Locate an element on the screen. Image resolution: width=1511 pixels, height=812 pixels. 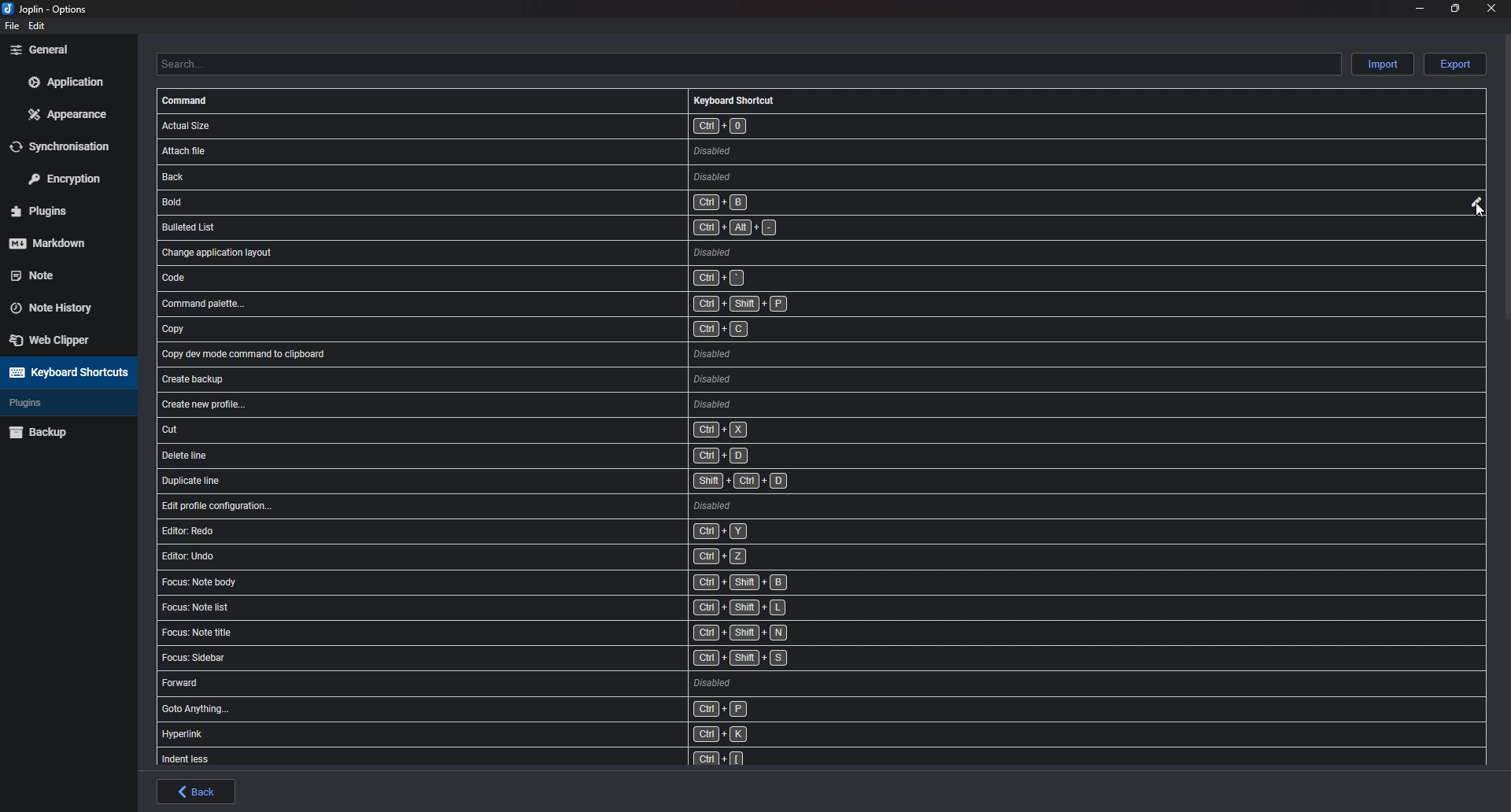
Command is located at coordinates (187, 101).